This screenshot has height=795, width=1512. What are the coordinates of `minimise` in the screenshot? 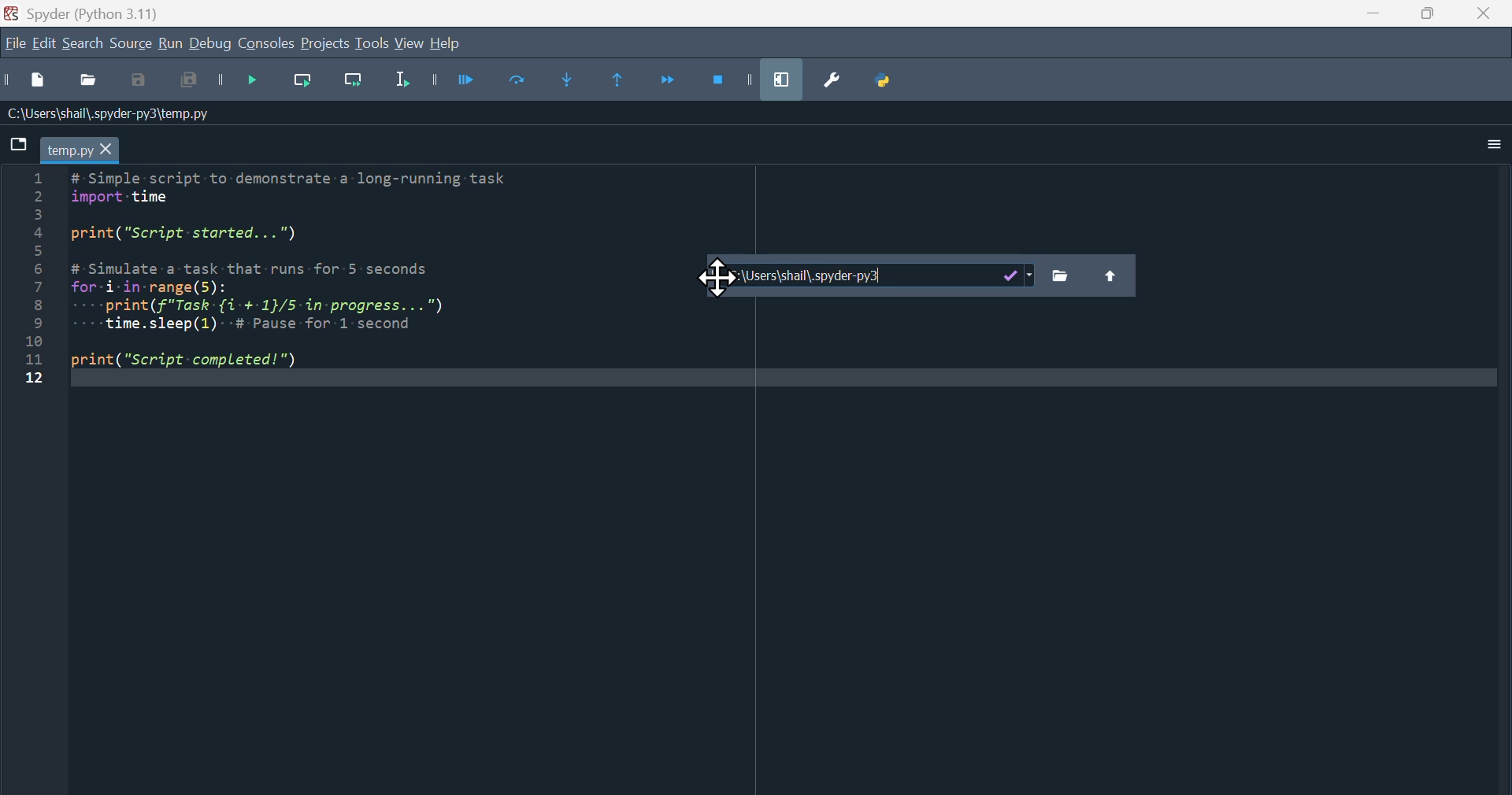 It's located at (1377, 18).